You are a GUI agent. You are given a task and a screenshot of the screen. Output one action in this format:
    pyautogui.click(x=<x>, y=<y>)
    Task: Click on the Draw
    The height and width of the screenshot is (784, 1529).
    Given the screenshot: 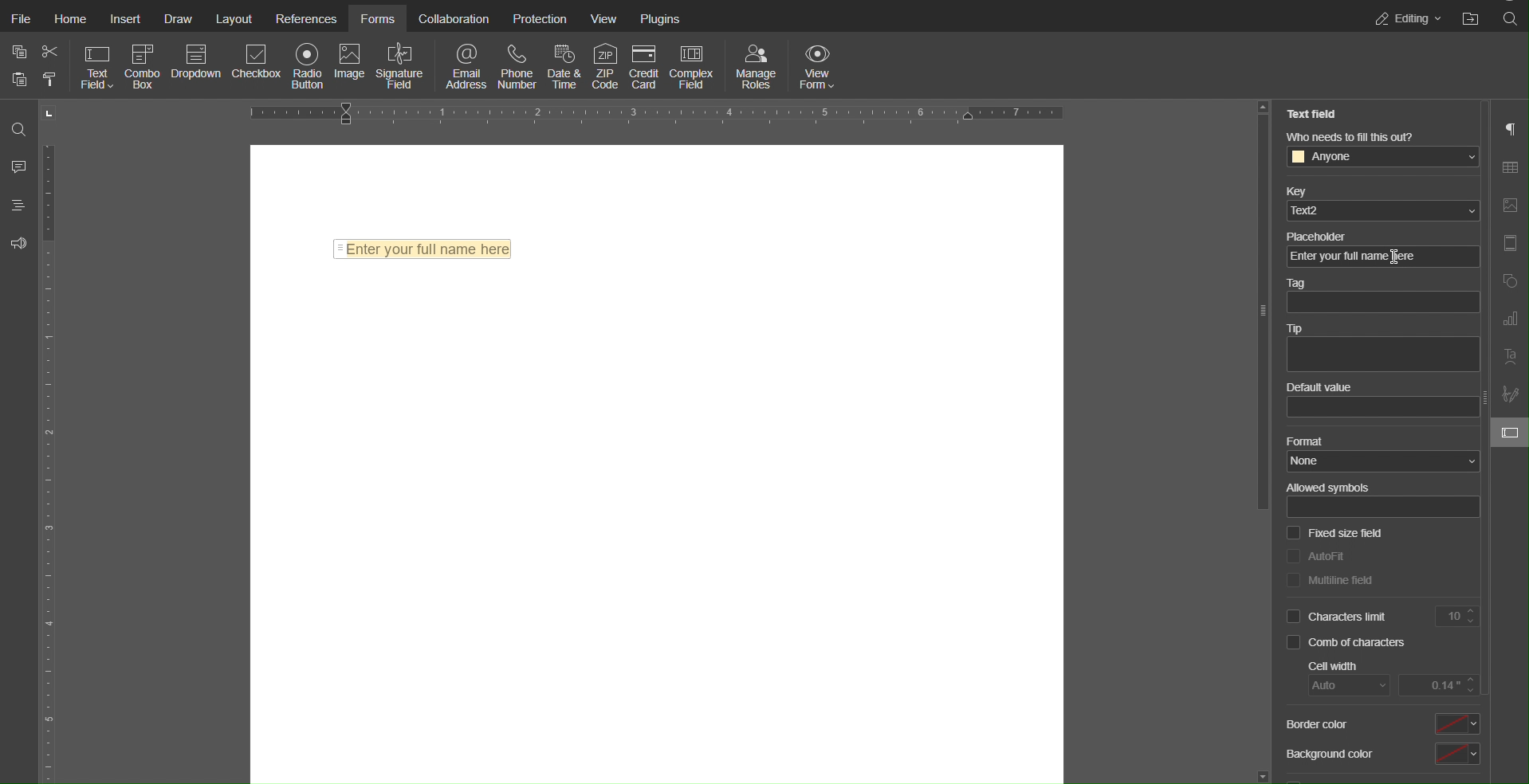 What is the action you would take?
    pyautogui.click(x=176, y=20)
    